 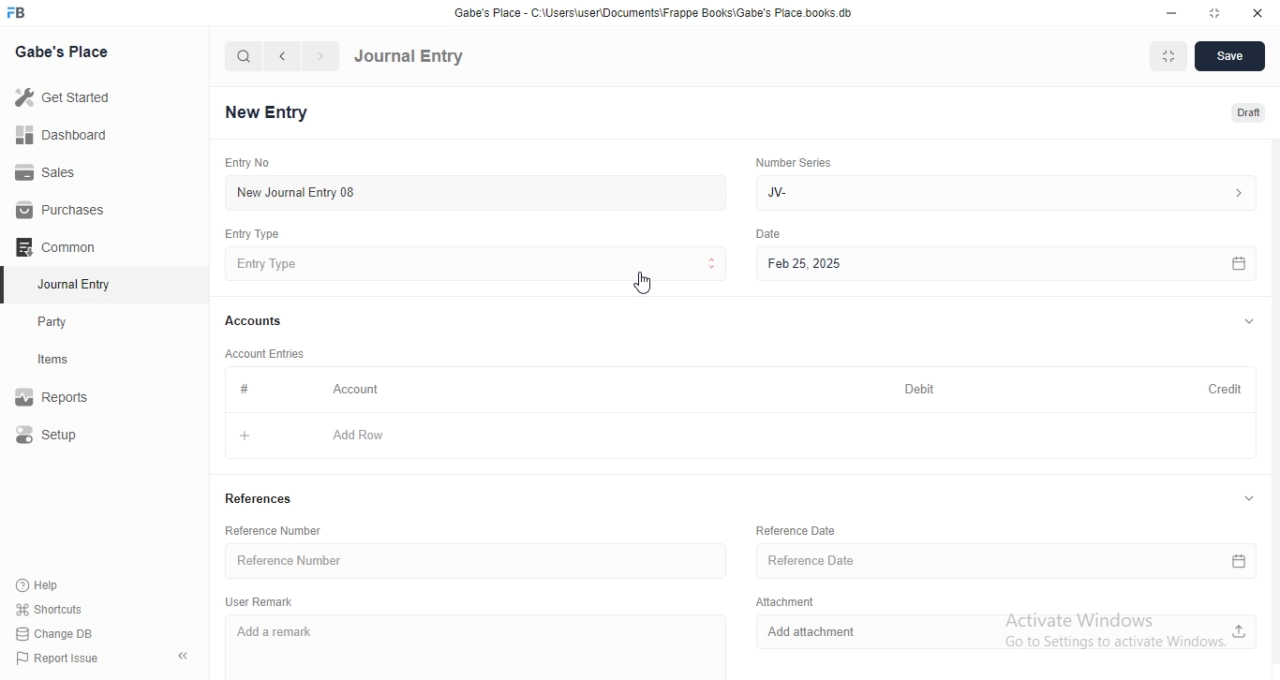 What do you see at coordinates (61, 138) in the screenshot?
I see `Dashboard` at bounding box center [61, 138].